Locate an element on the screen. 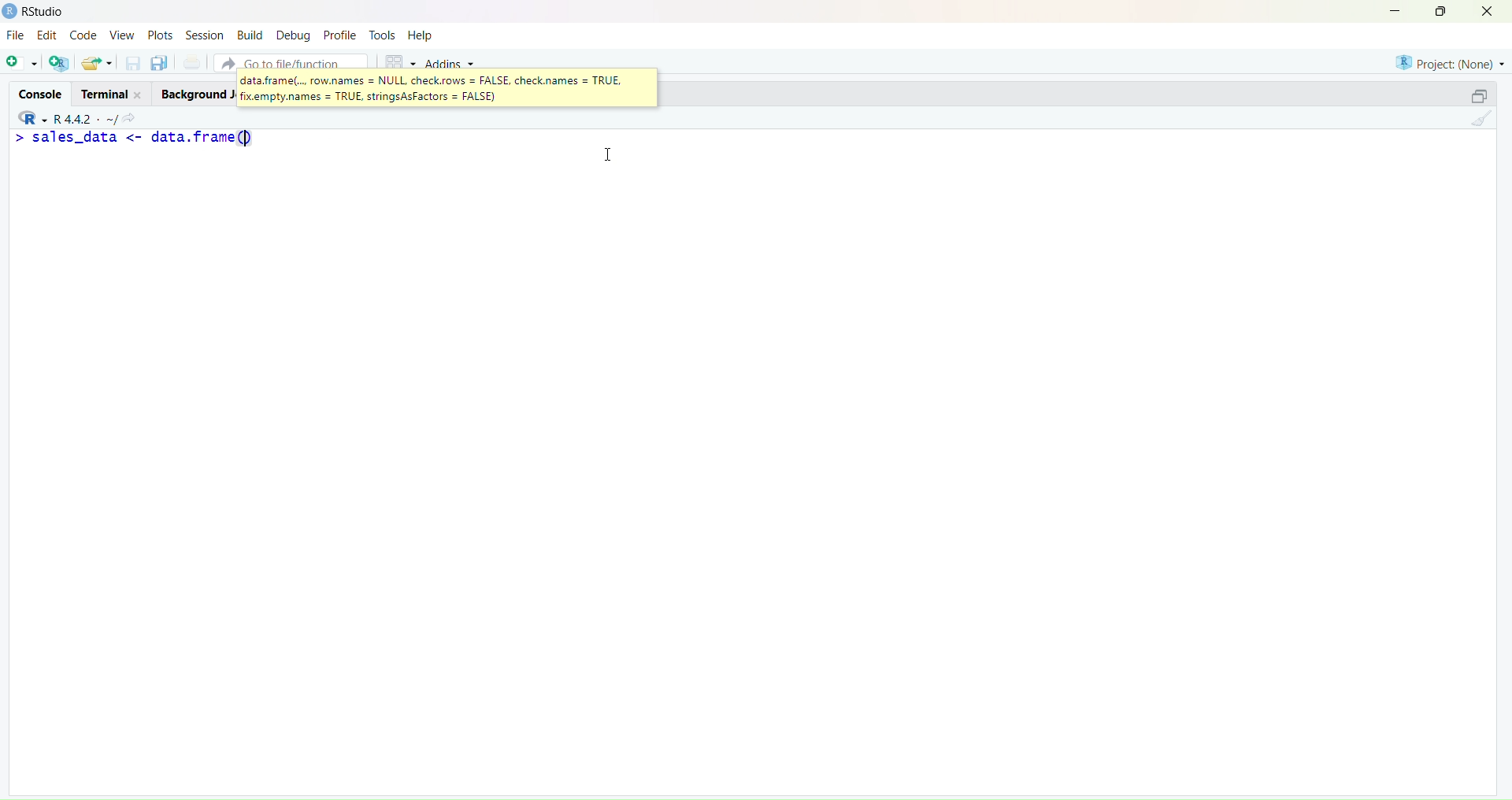 This screenshot has height=800, width=1512. maximise is located at coordinates (1471, 94).